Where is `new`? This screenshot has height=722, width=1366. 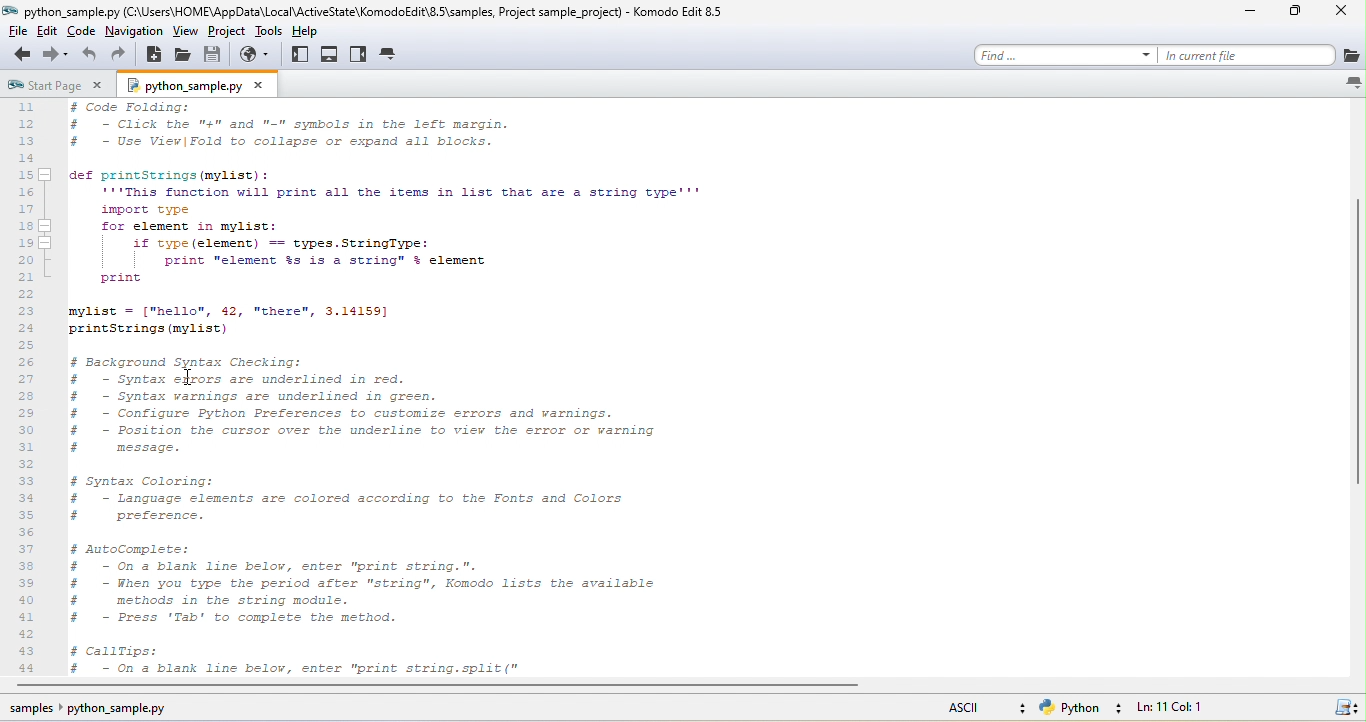 new is located at coordinates (153, 58).